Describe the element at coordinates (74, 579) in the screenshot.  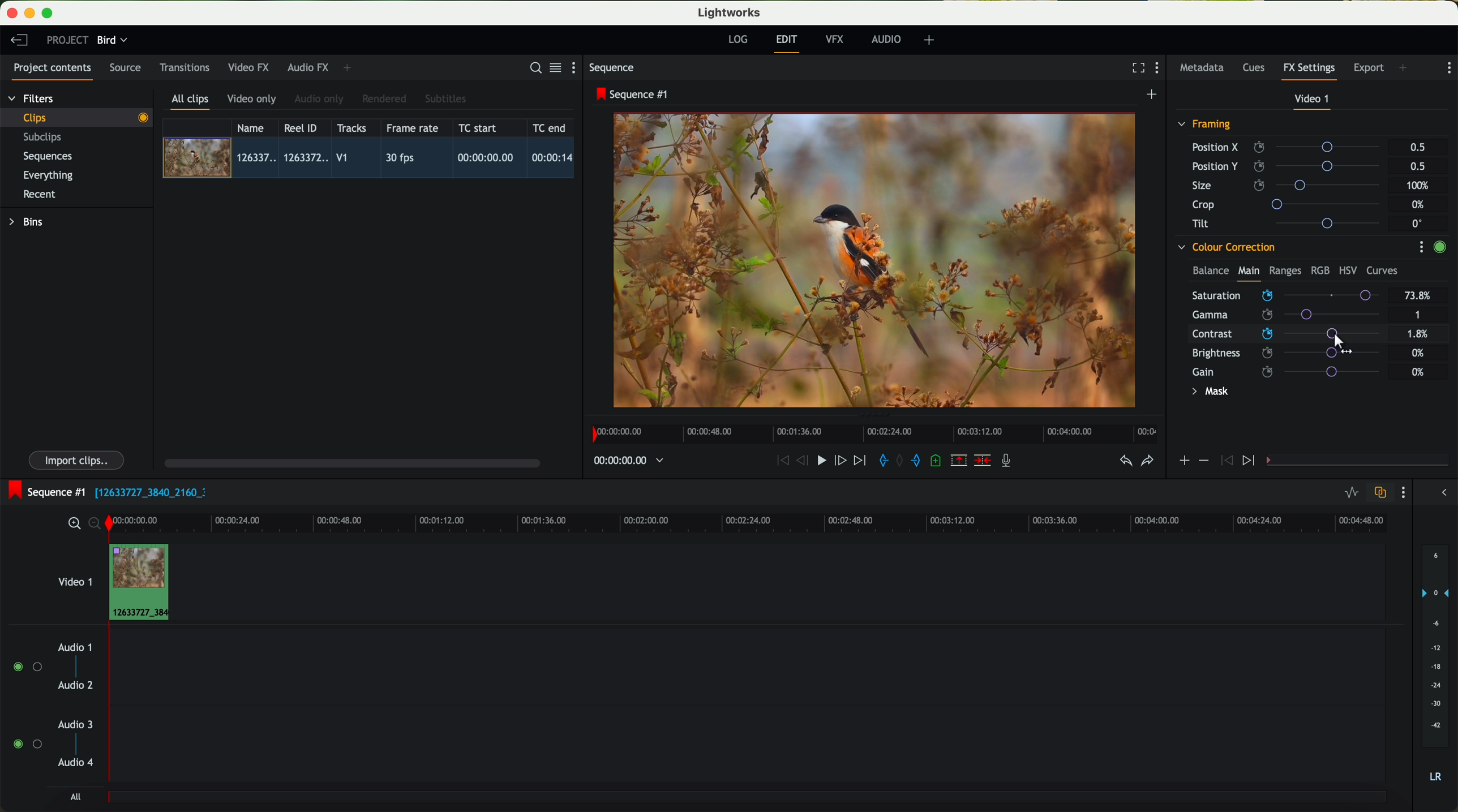
I see `video 1` at that location.